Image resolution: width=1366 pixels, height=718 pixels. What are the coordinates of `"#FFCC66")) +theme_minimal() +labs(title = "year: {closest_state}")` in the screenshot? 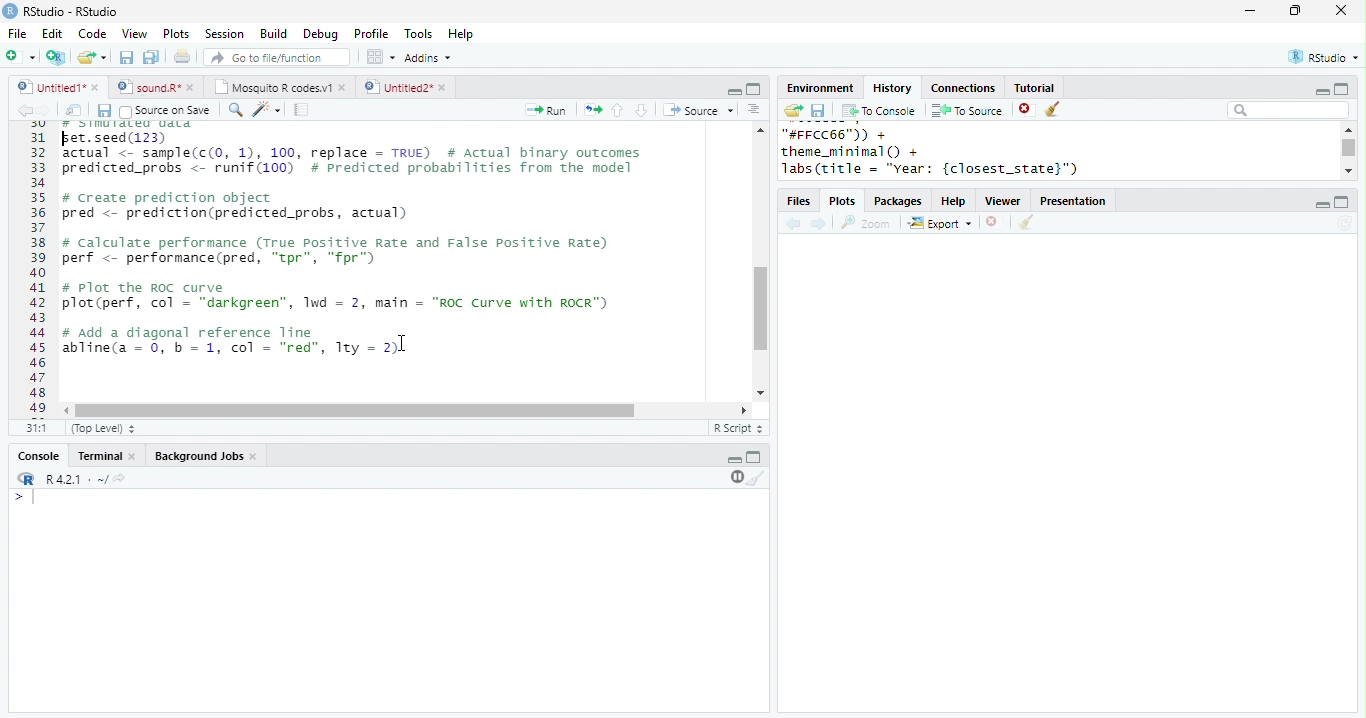 It's located at (955, 152).